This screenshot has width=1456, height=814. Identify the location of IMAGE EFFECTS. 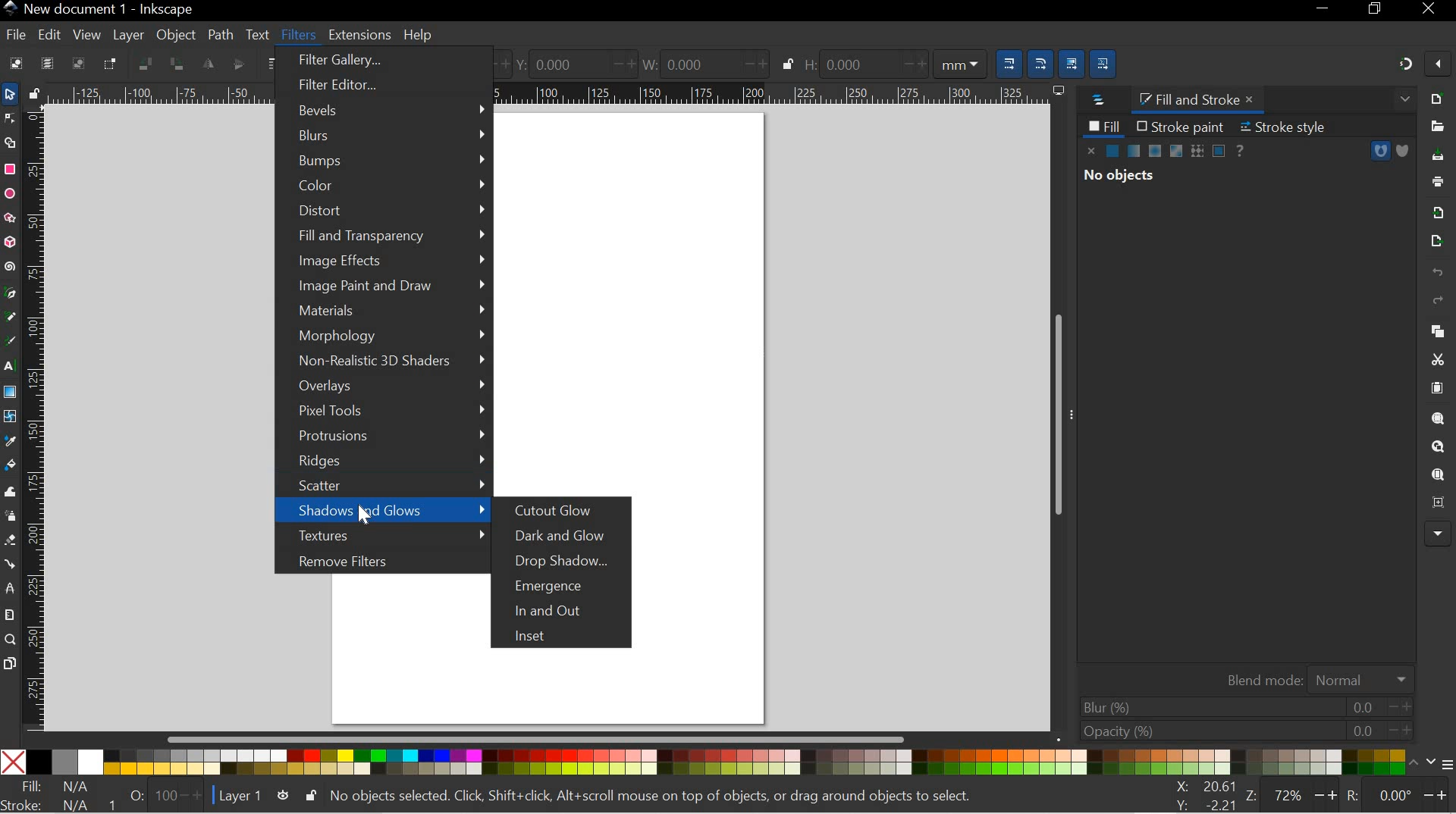
(388, 261).